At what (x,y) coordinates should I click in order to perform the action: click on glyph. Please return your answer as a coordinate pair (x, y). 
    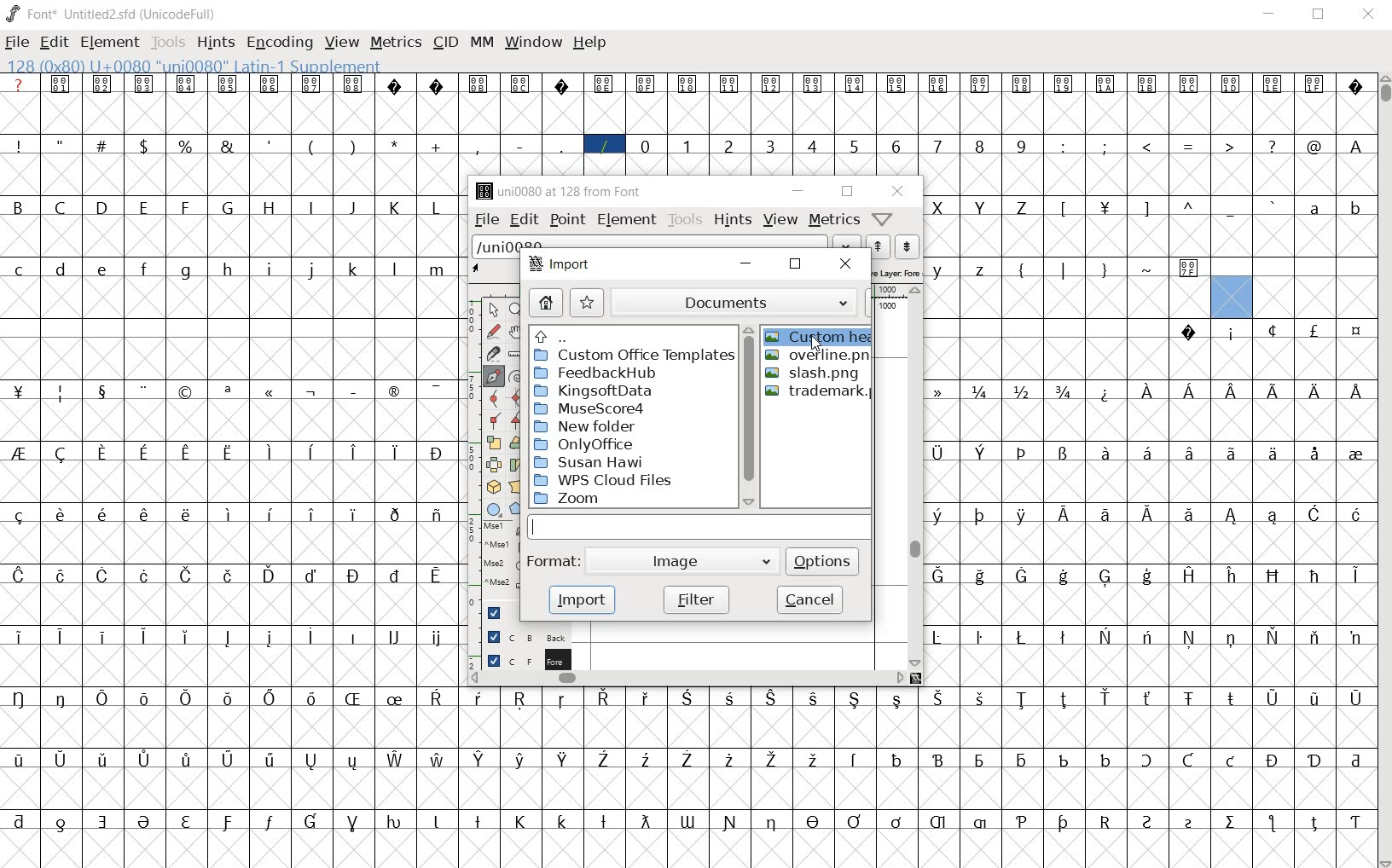
    Looking at the image, I should click on (1105, 271).